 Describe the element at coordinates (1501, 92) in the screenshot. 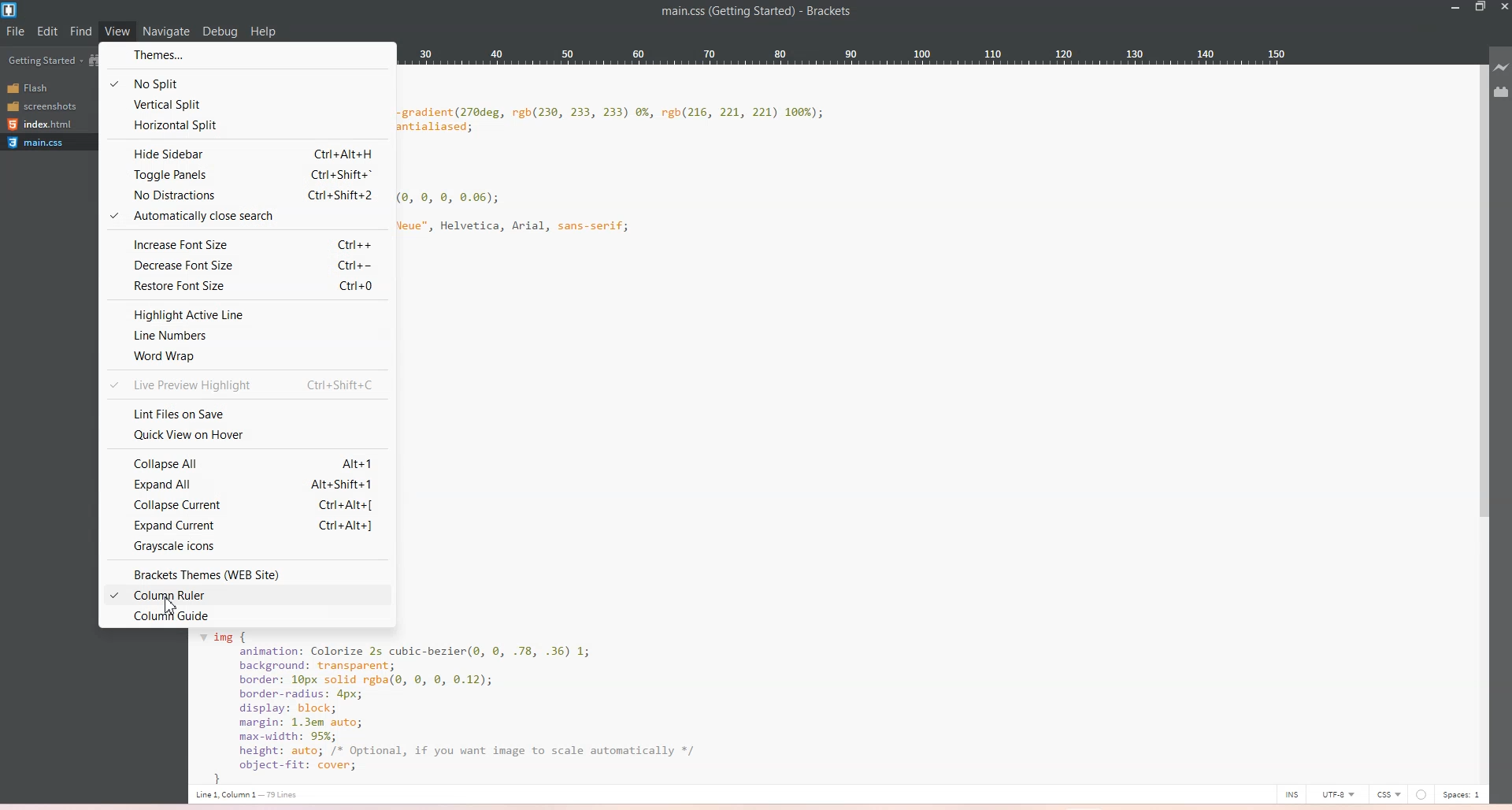

I see `Extension Manager` at that location.